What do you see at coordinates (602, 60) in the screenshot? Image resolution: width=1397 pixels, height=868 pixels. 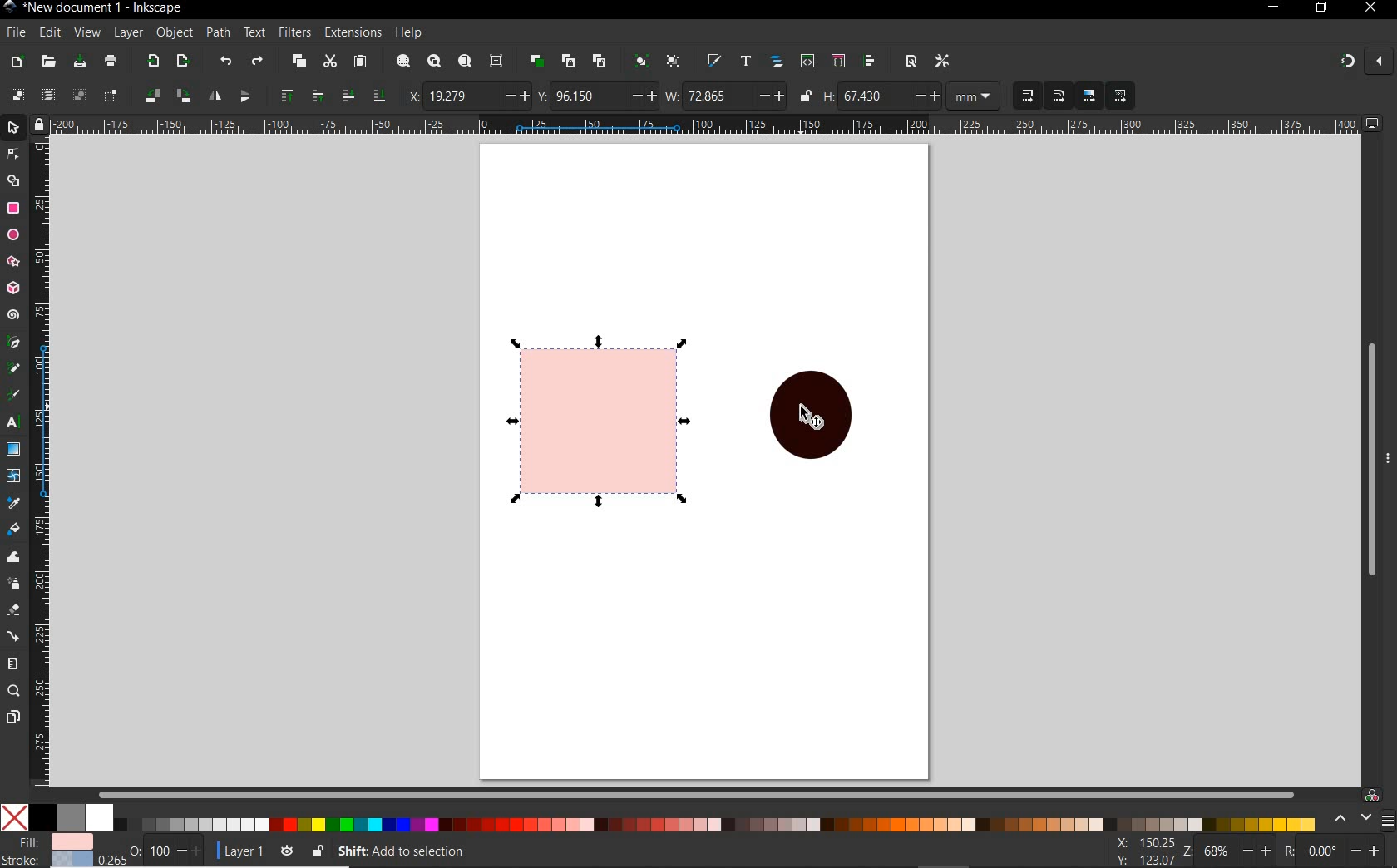 I see `unlink clone` at bounding box center [602, 60].